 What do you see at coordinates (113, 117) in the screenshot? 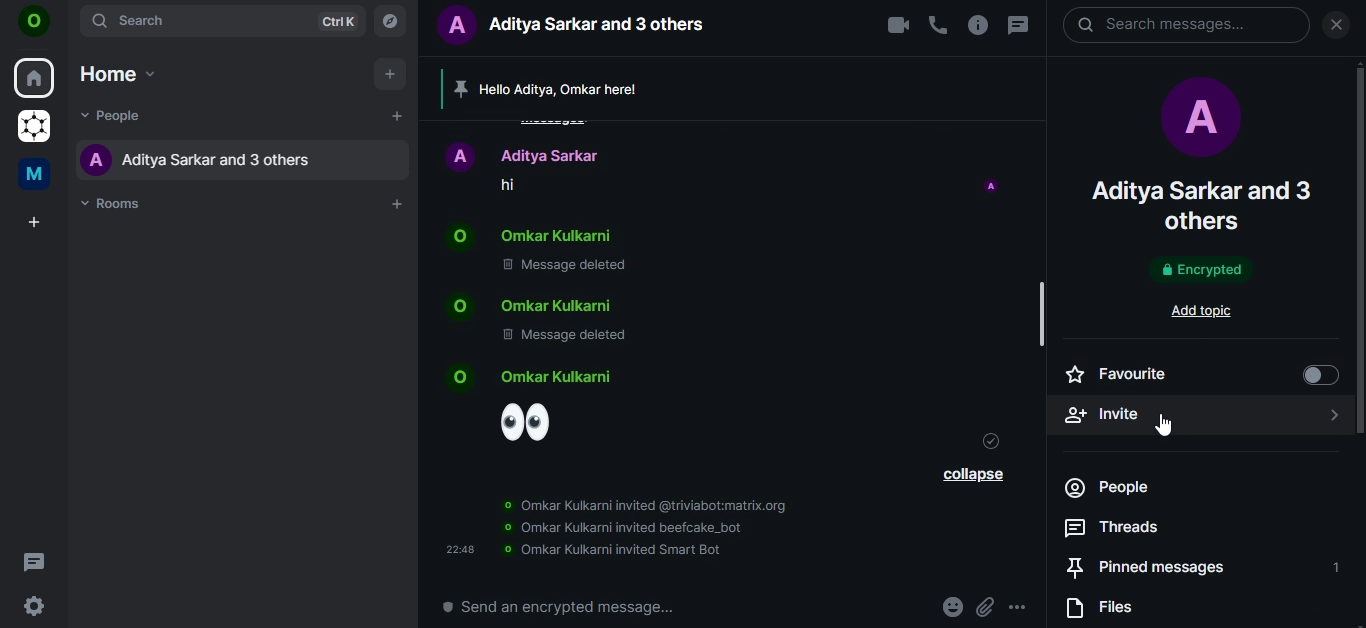
I see `people` at bounding box center [113, 117].